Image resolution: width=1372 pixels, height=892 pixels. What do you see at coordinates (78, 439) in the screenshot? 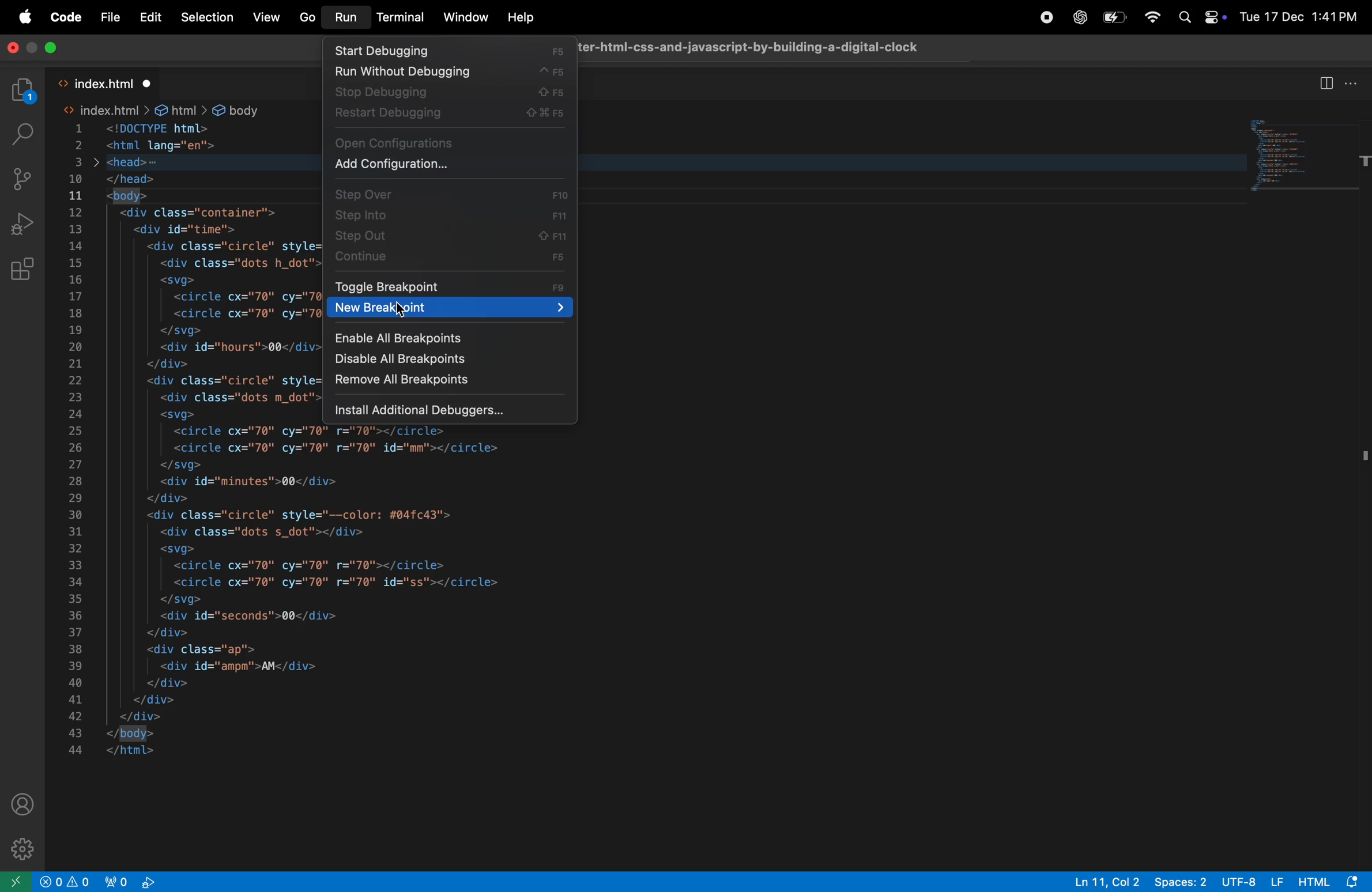
I see `line index` at bounding box center [78, 439].